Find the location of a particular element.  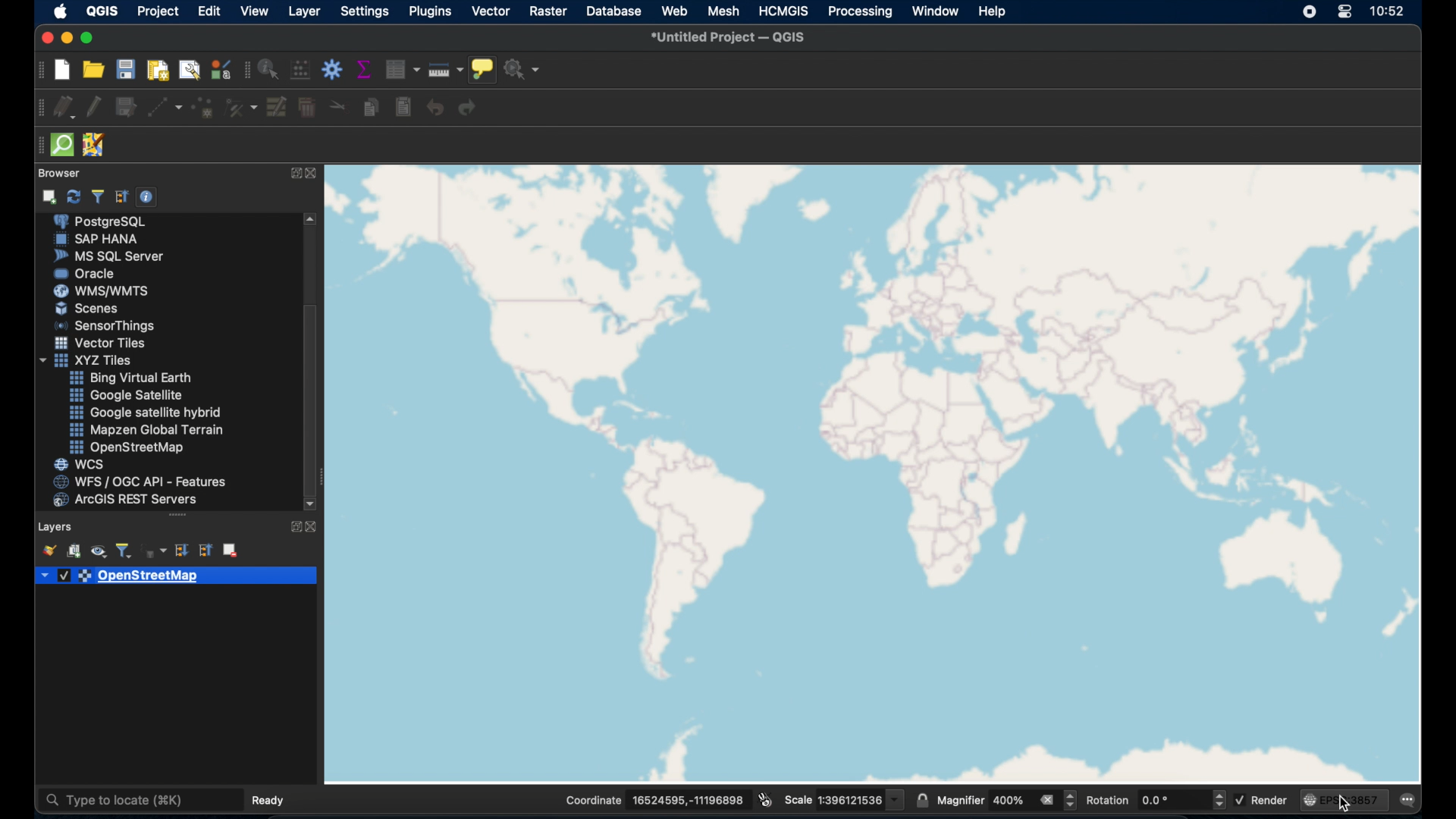

refresh is located at coordinates (74, 198).